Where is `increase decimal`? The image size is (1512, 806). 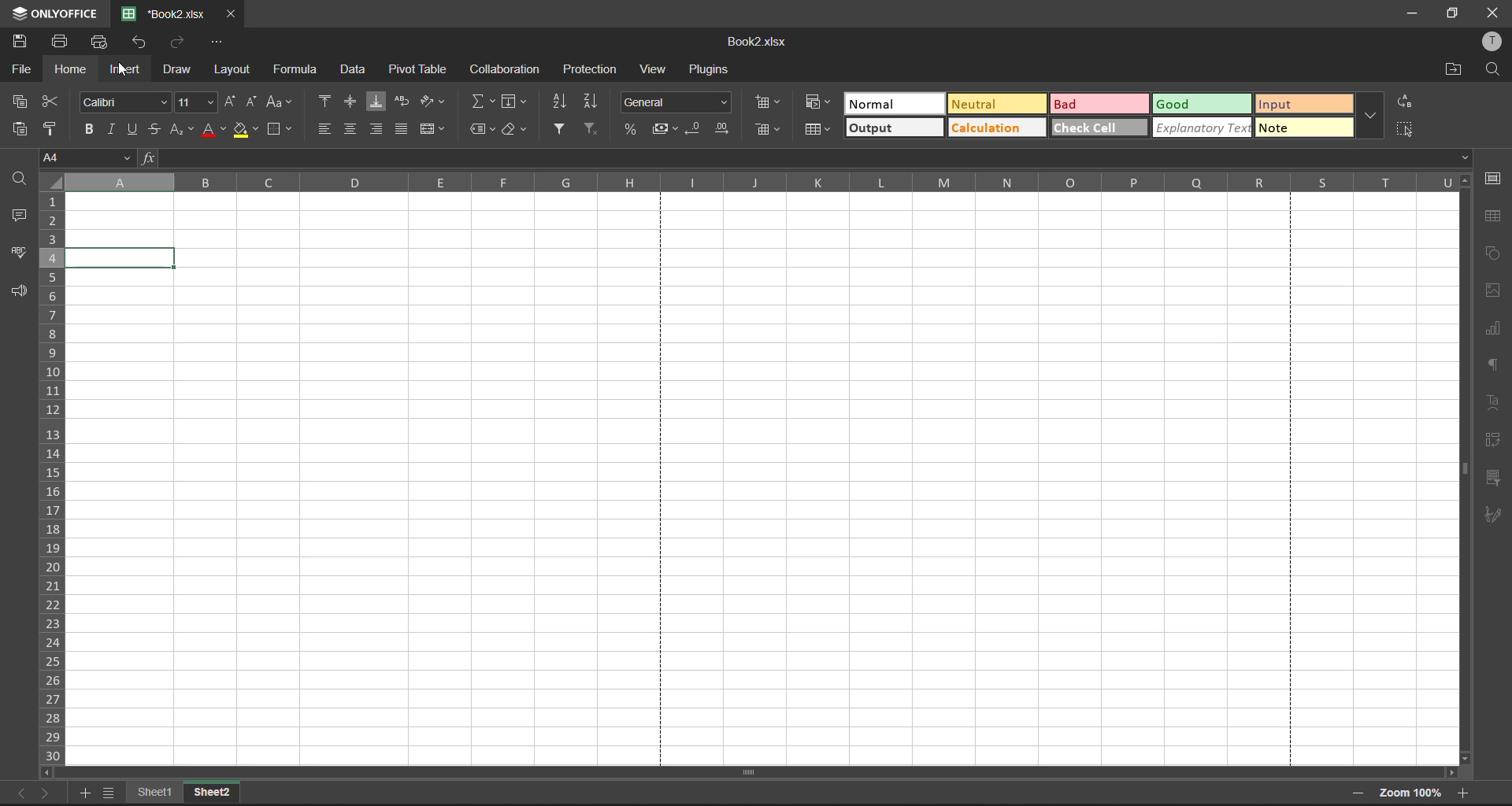 increase decimal is located at coordinates (725, 131).